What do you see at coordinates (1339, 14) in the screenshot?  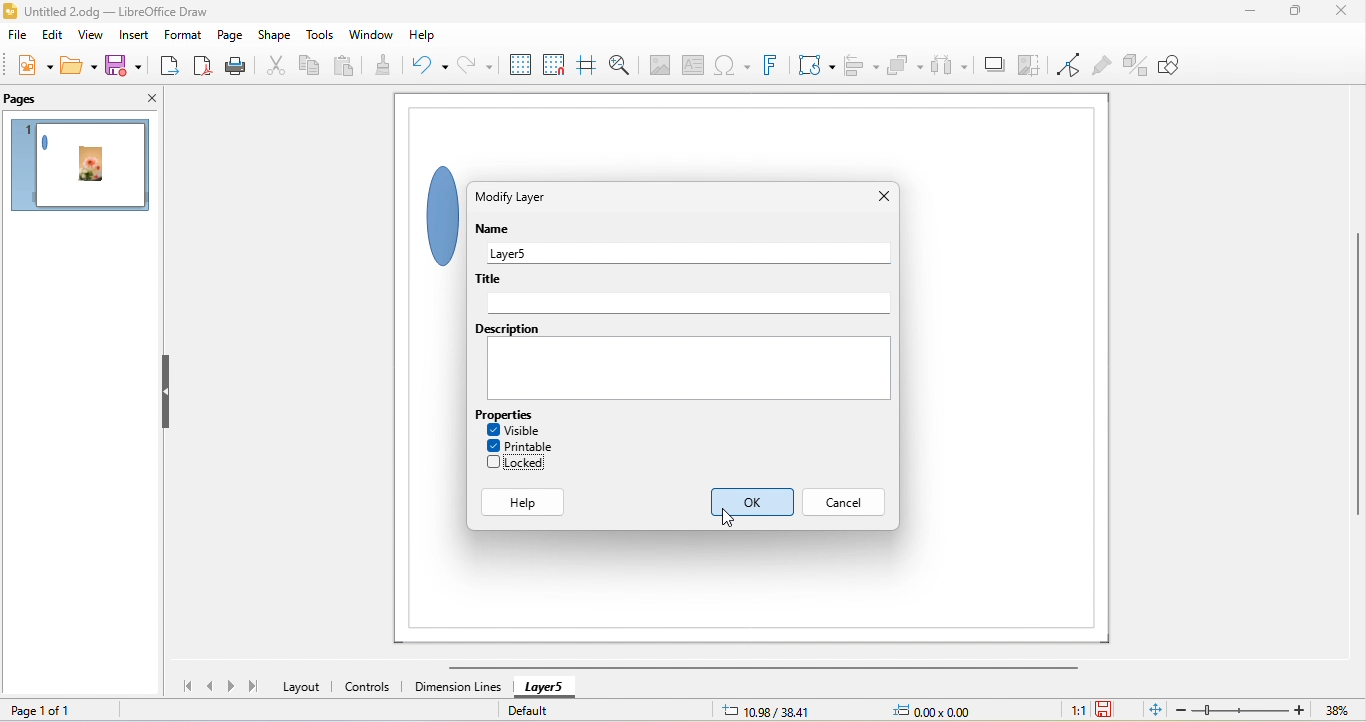 I see `close` at bounding box center [1339, 14].